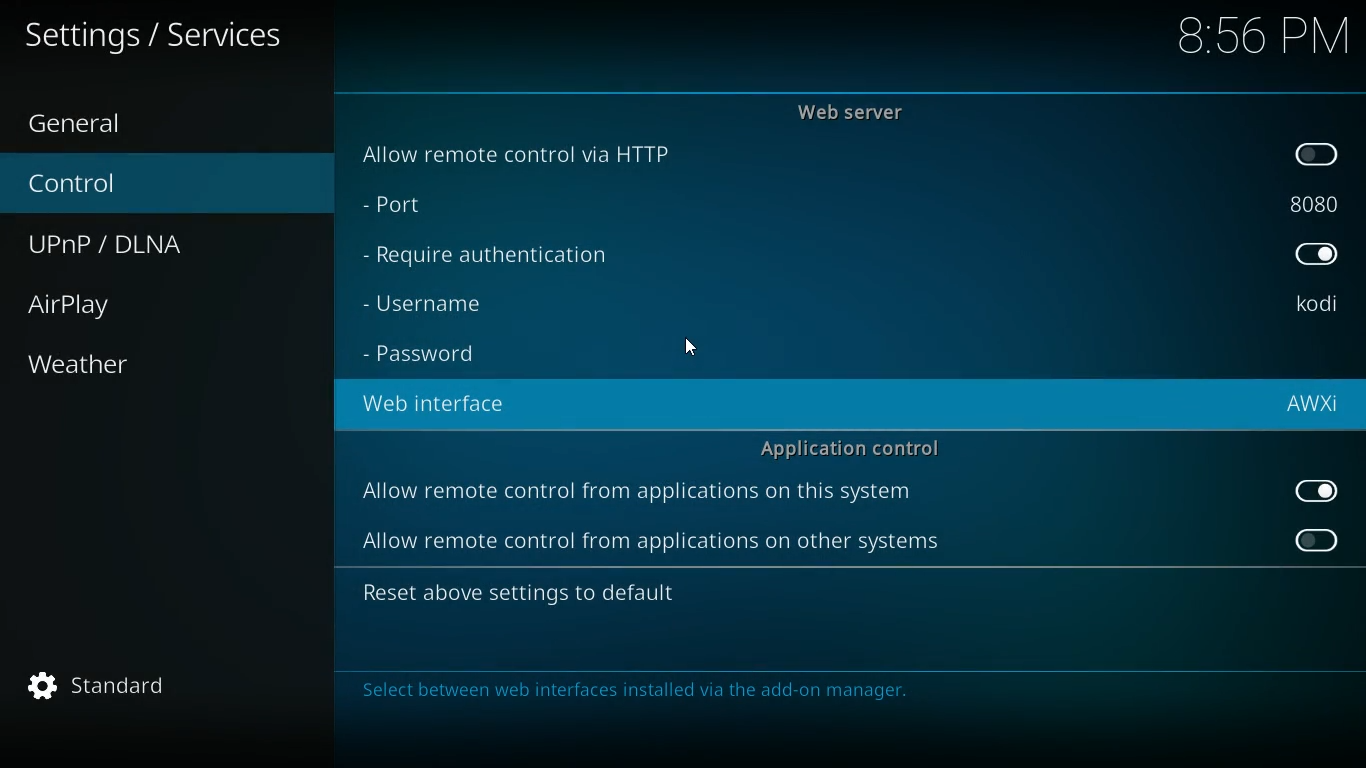 The image size is (1366, 768). I want to click on web server, so click(861, 112).